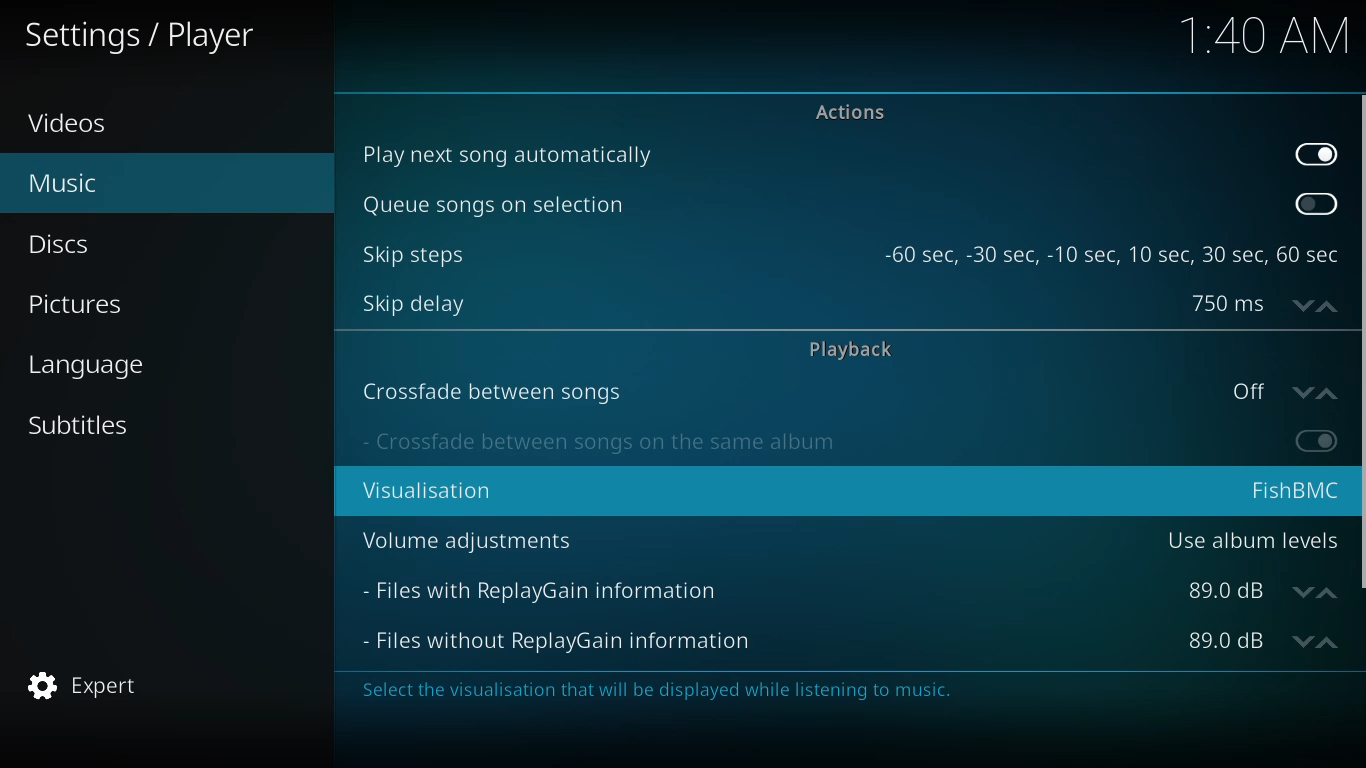 The image size is (1366, 768). I want to click on time, so click(1267, 34).